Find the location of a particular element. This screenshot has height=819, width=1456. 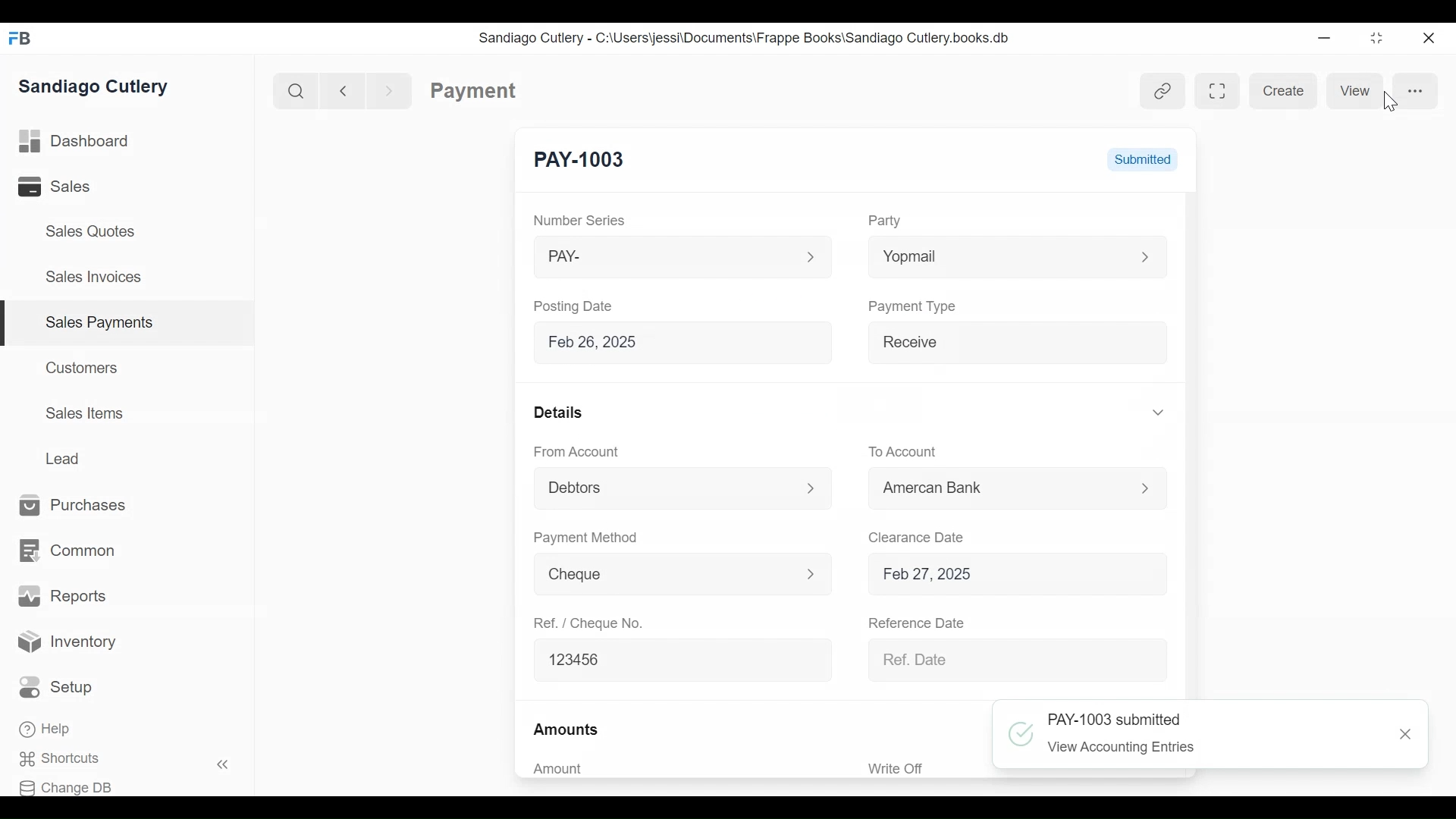

To Account is located at coordinates (903, 451).